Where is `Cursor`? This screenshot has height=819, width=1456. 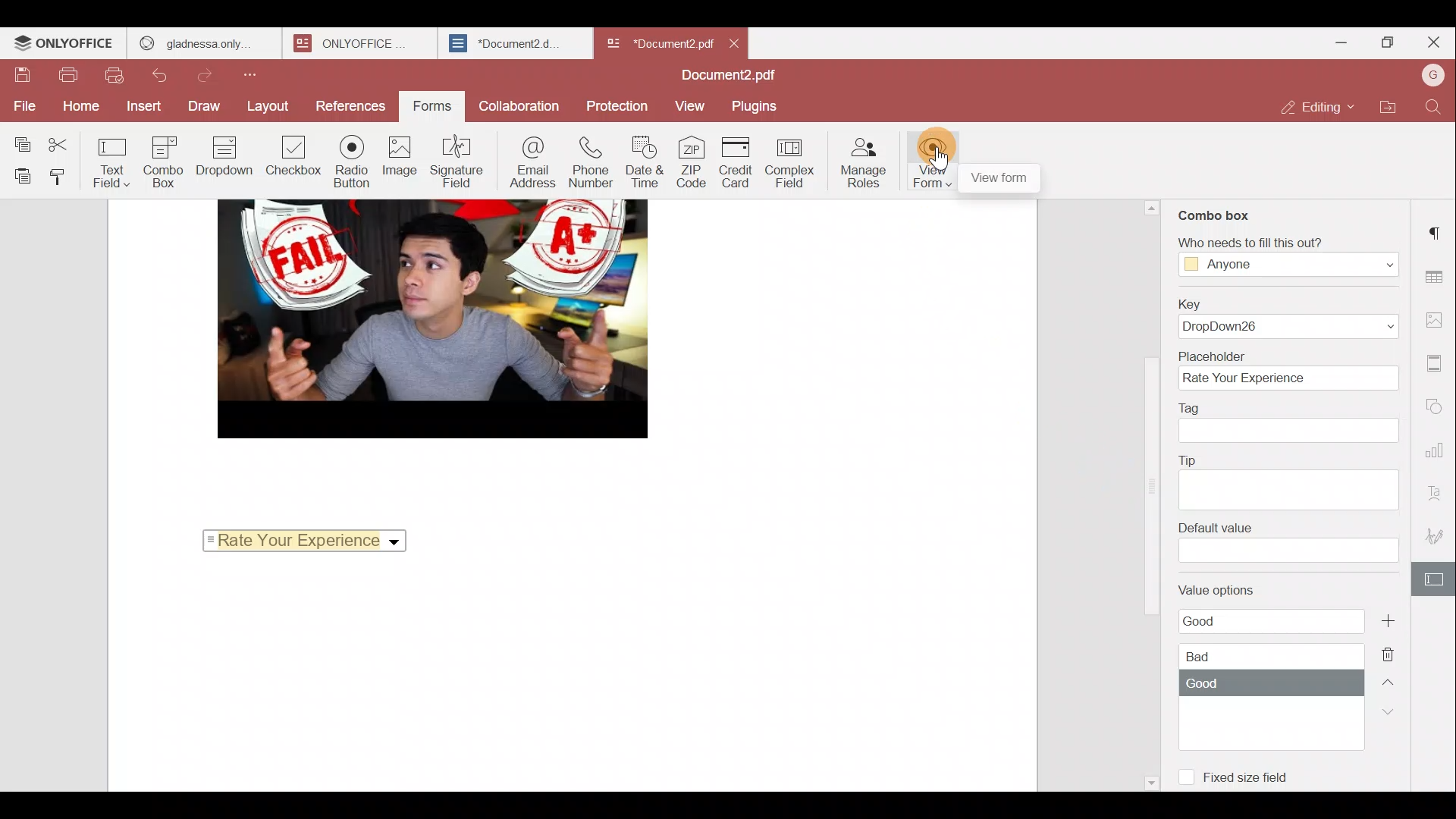
Cursor is located at coordinates (936, 155).